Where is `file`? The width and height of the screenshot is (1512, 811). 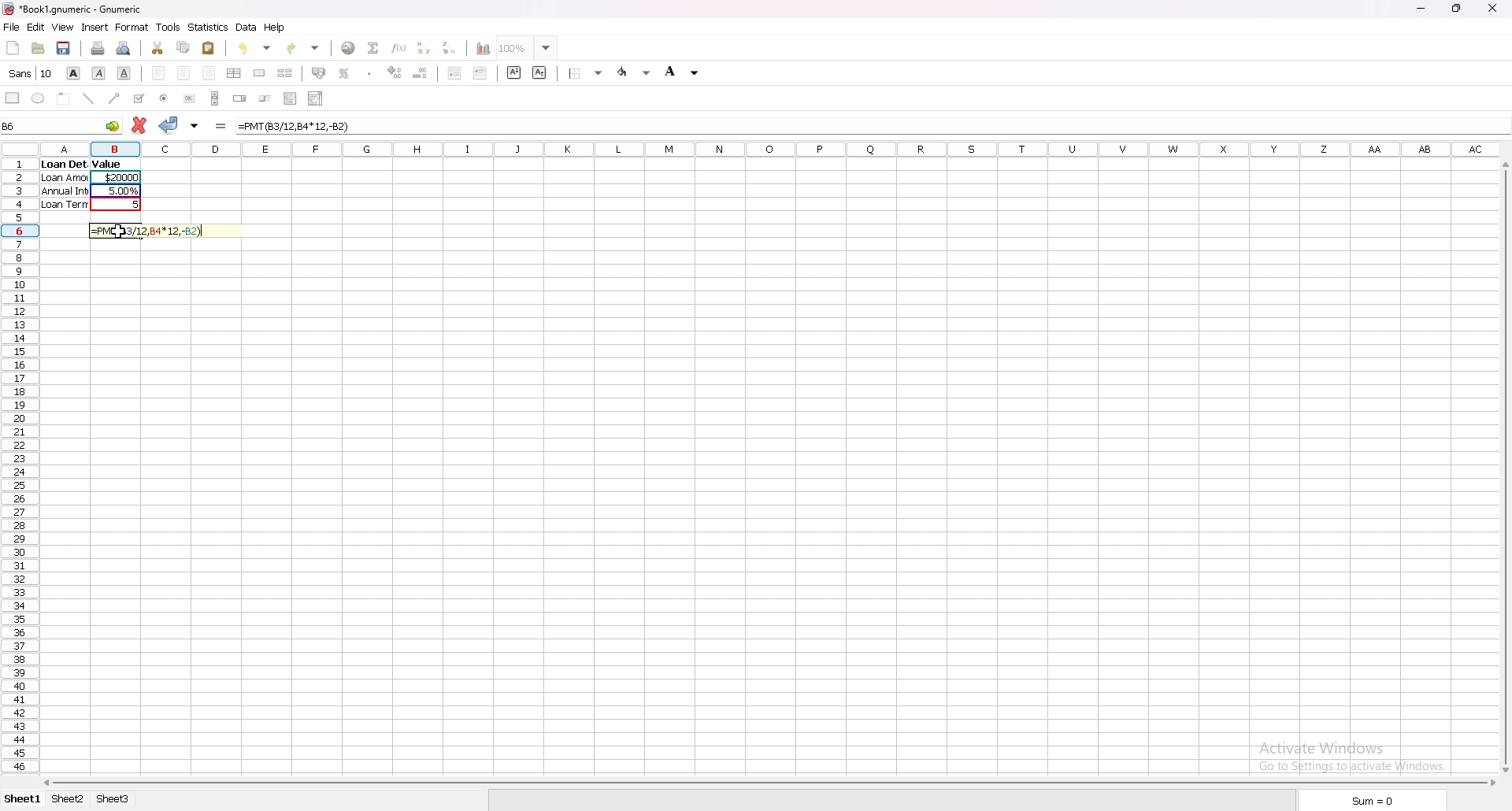
file is located at coordinates (11, 27).